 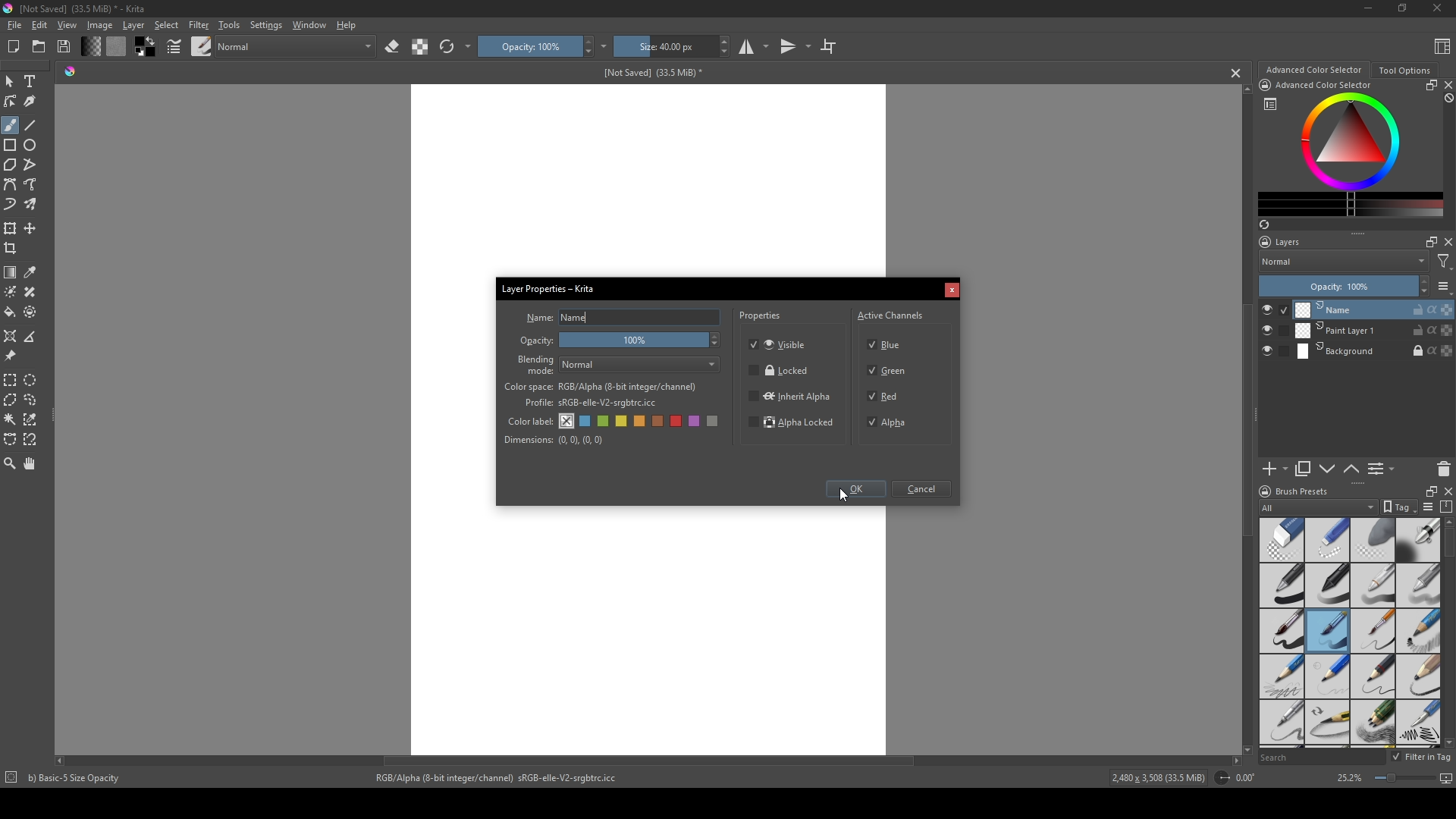 What do you see at coordinates (1444, 469) in the screenshot?
I see `delete` at bounding box center [1444, 469].